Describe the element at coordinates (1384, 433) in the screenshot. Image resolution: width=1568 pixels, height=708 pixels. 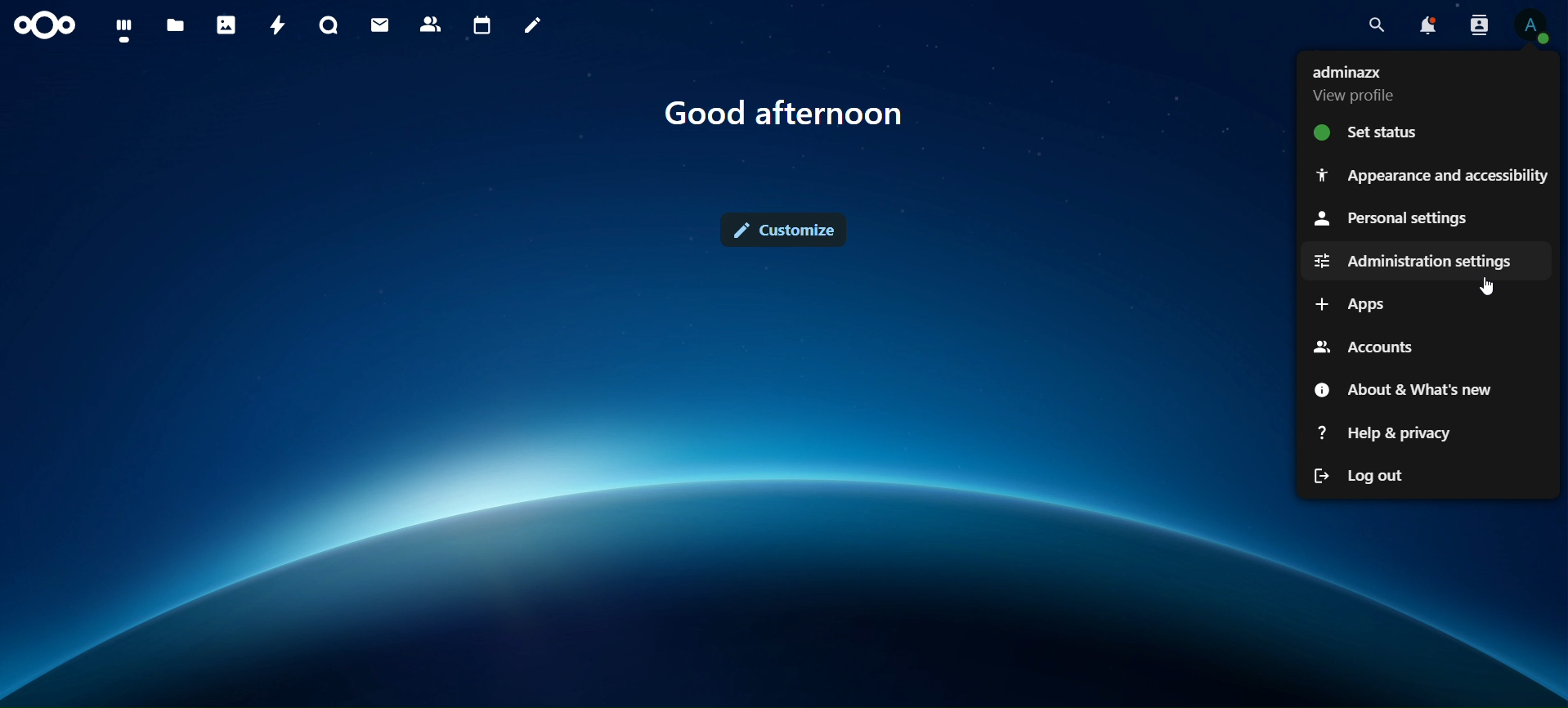
I see `help & privacy` at that location.